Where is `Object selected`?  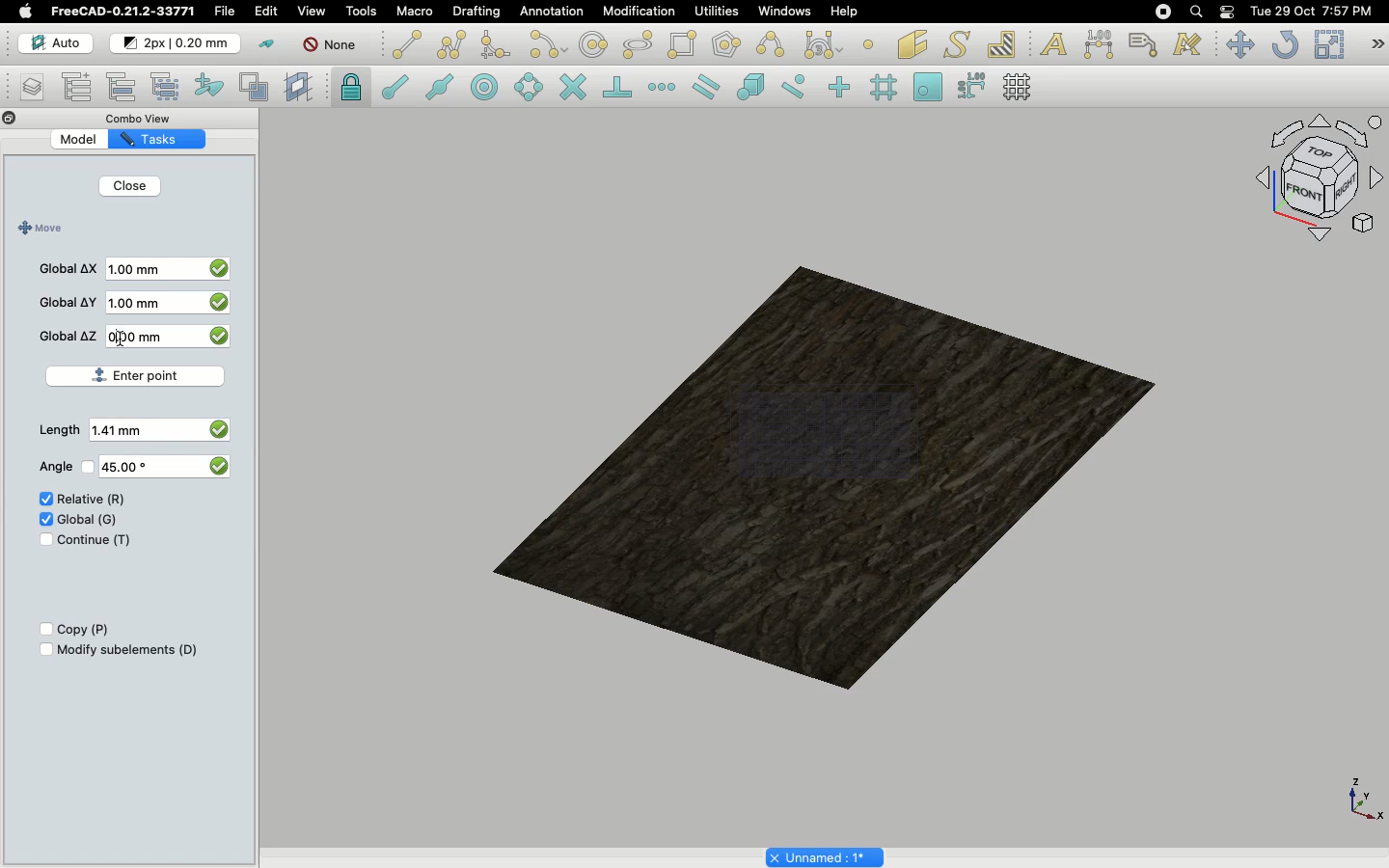 Object selected is located at coordinates (829, 469).